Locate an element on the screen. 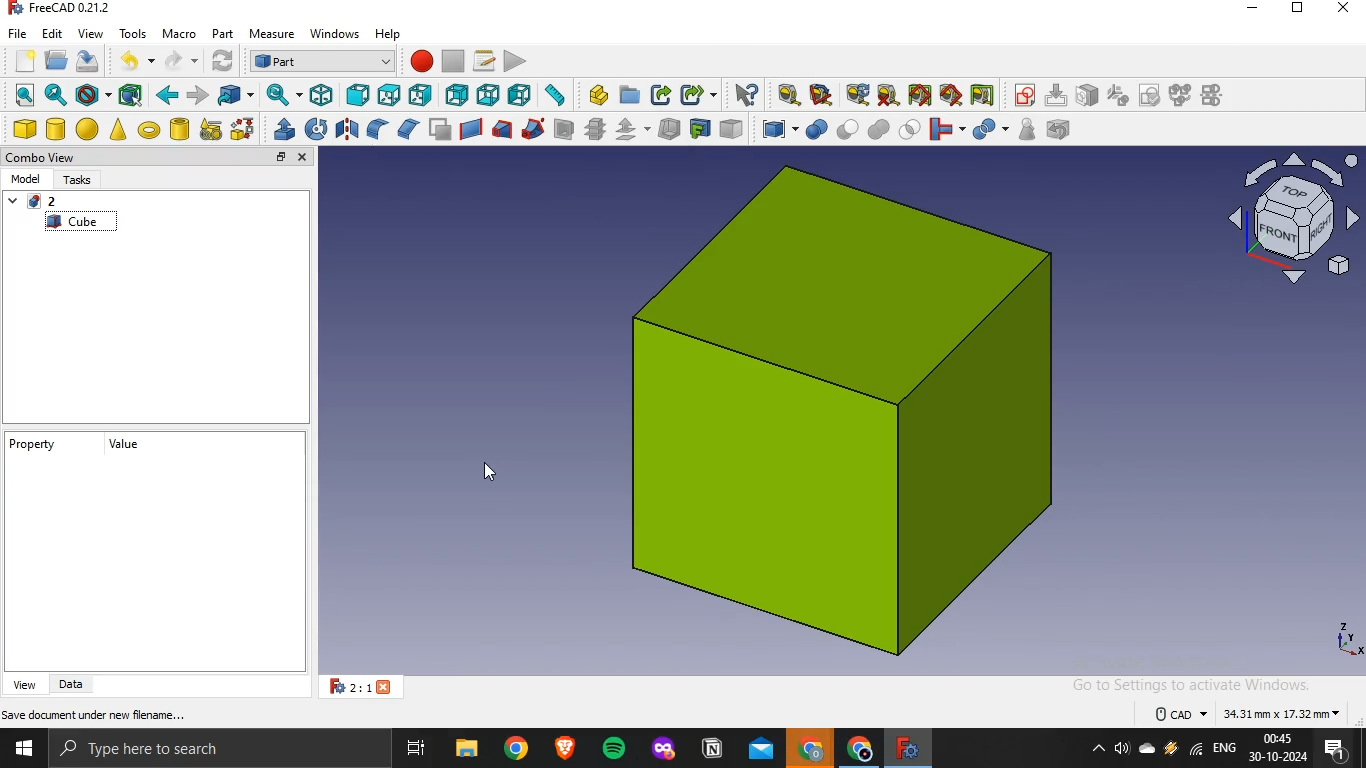  fit selection is located at coordinates (53, 93).